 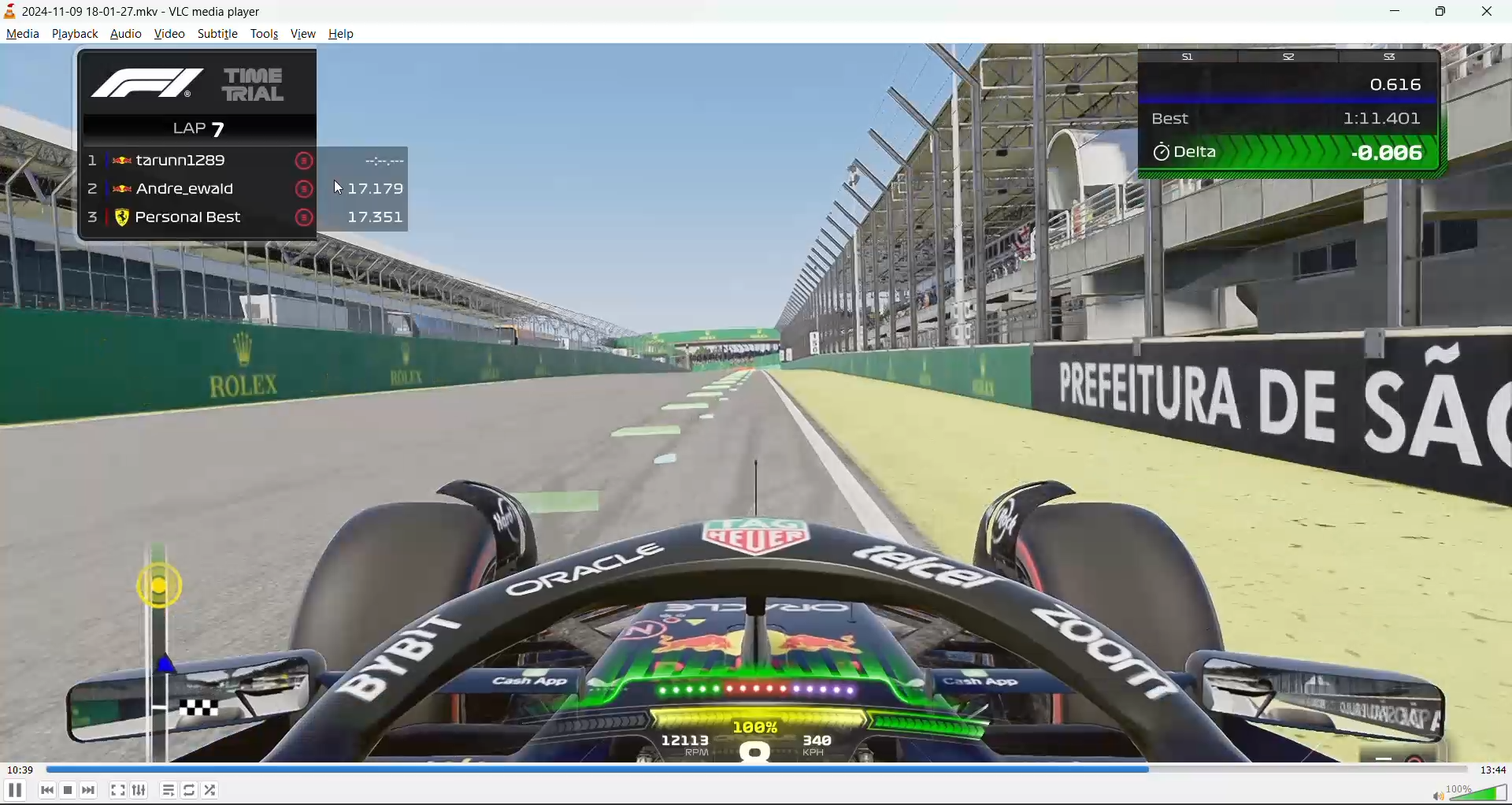 What do you see at coordinates (1493, 770) in the screenshot?
I see `total track time` at bounding box center [1493, 770].